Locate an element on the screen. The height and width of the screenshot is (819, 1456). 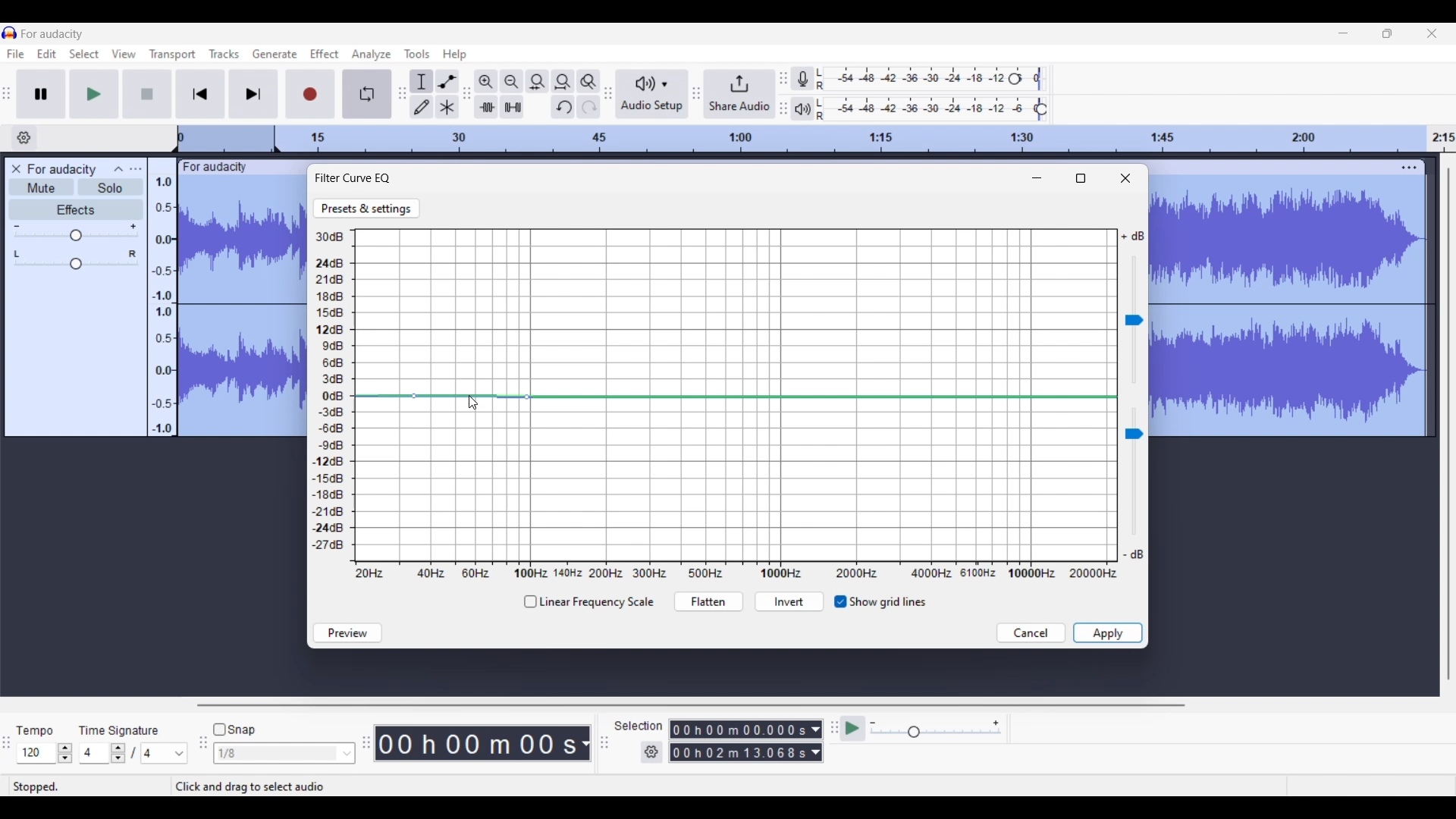
Analyze menu is located at coordinates (371, 55).